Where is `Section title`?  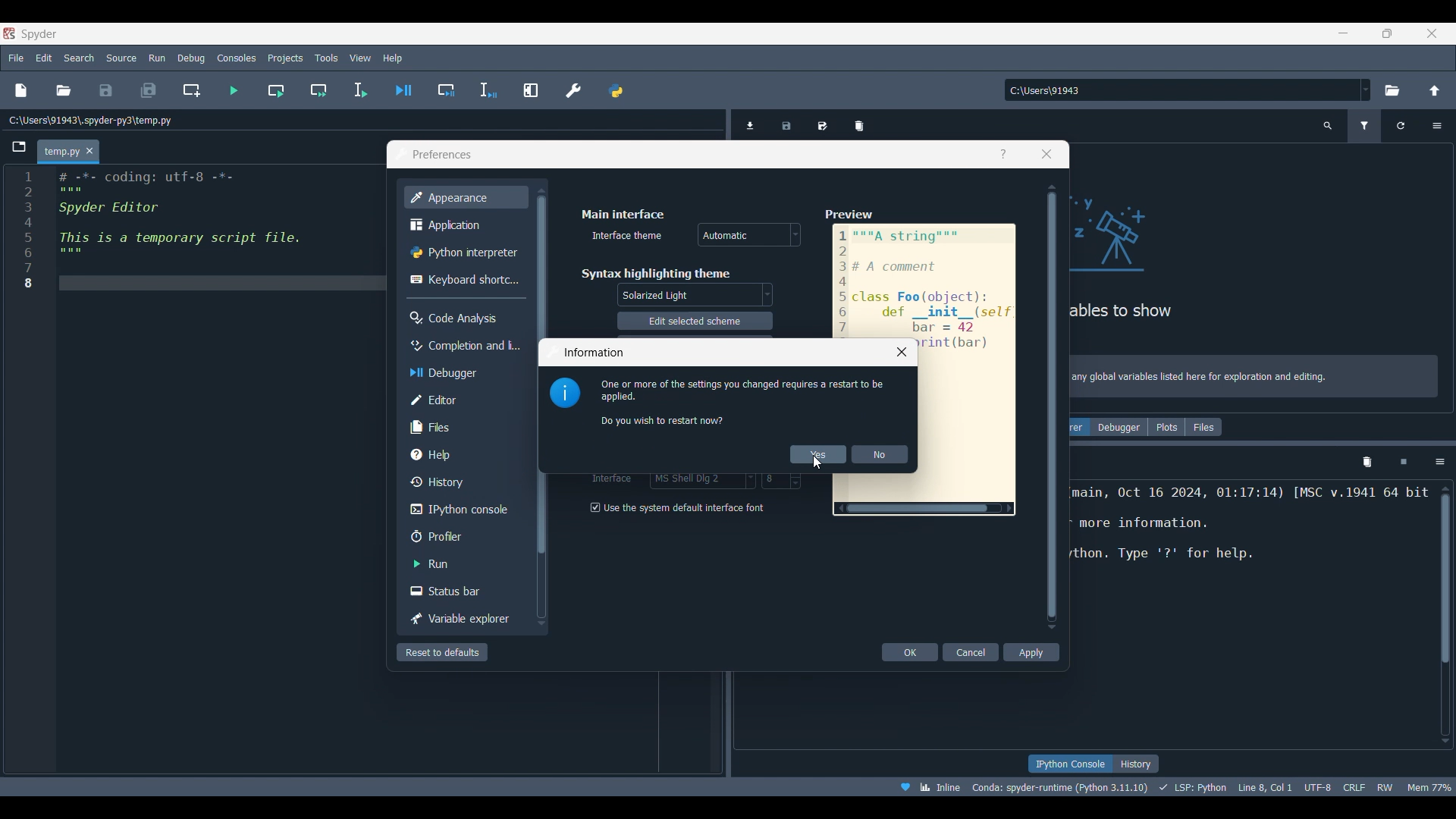 Section title is located at coordinates (624, 214).